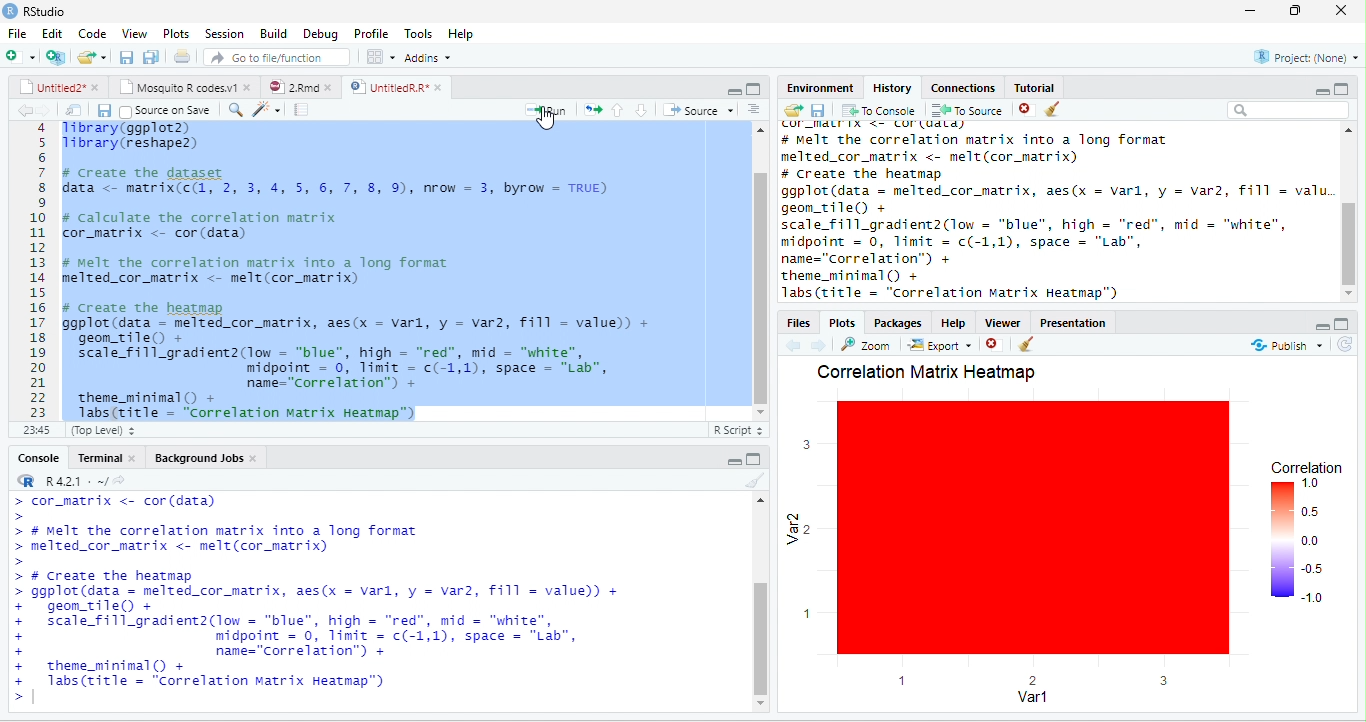 The image size is (1366, 722). I want to click on top level, so click(118, 432).